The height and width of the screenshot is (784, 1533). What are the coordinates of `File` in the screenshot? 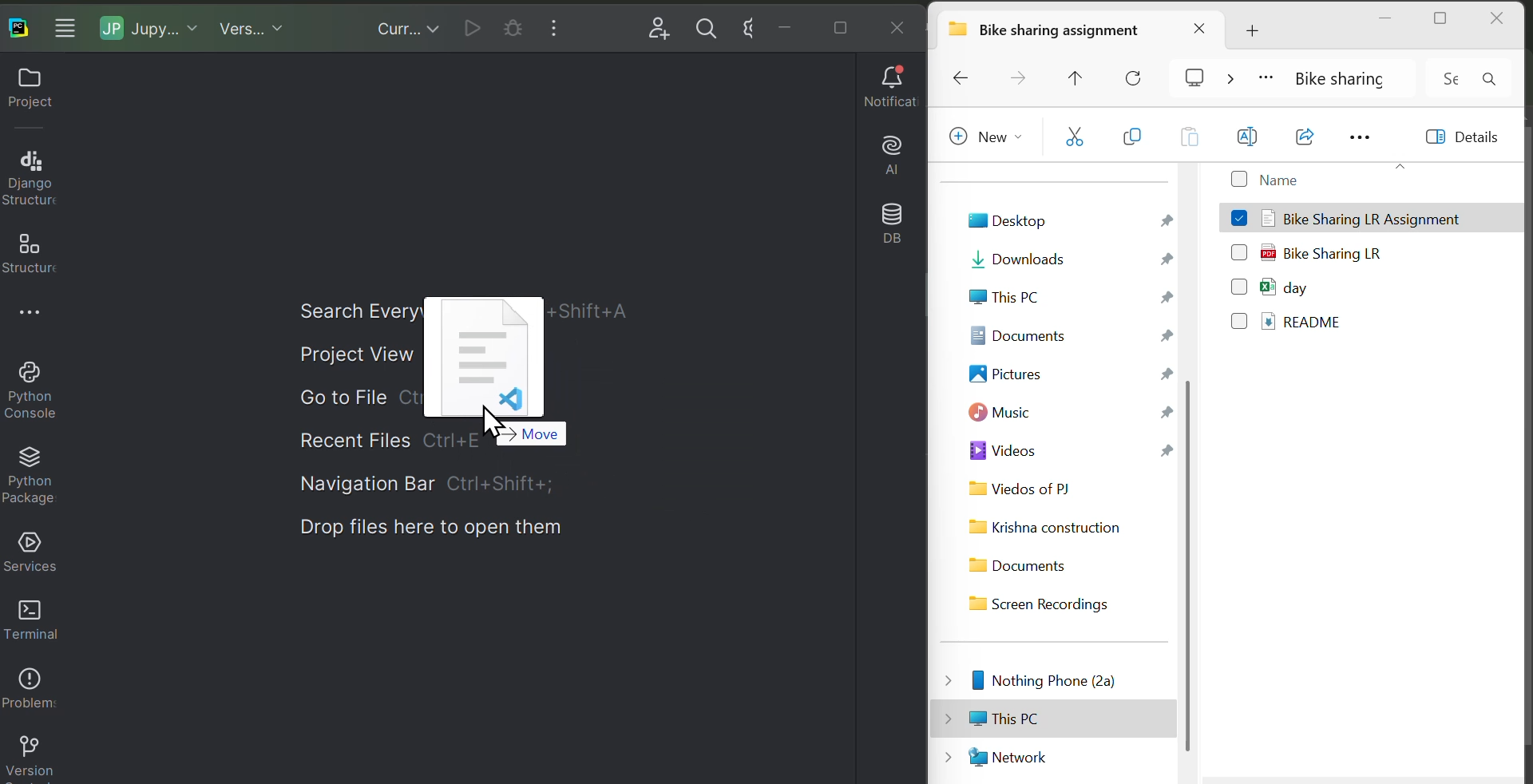 It's located at (493, 355).